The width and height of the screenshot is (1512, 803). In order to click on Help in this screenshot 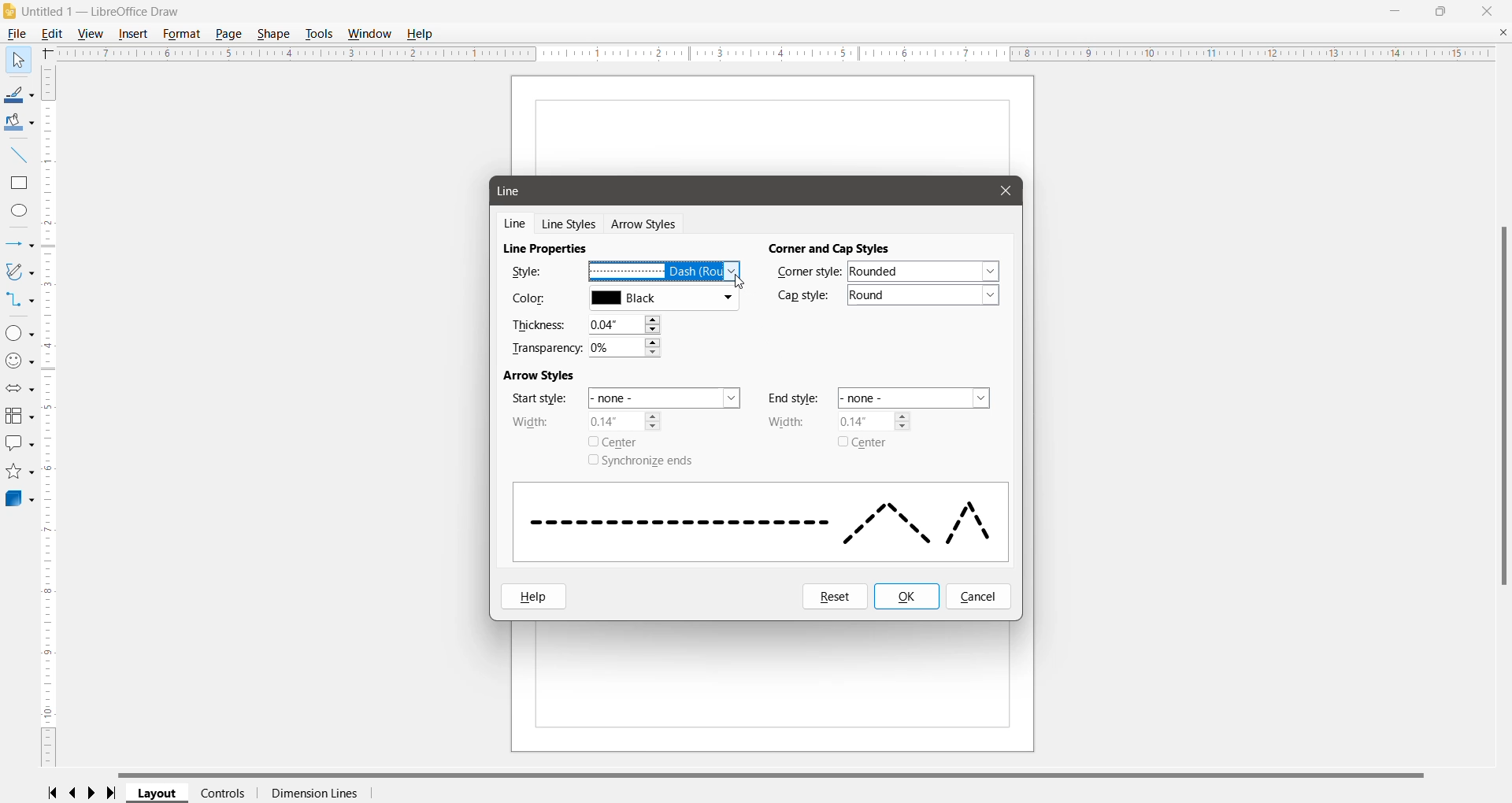, I will do `click(421, 33)`.